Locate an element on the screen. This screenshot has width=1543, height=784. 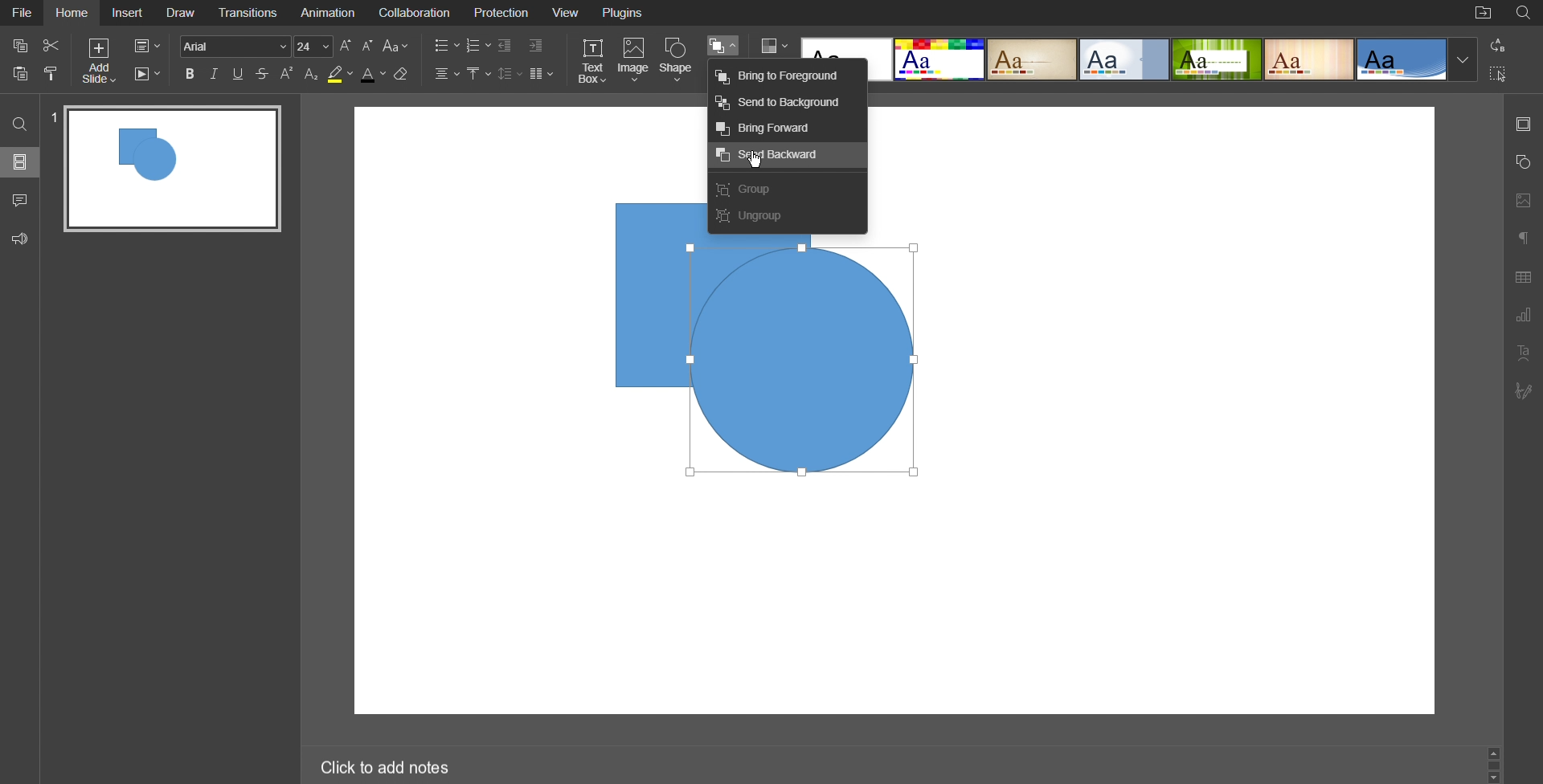
Bold is located at coordinates (190, 75).